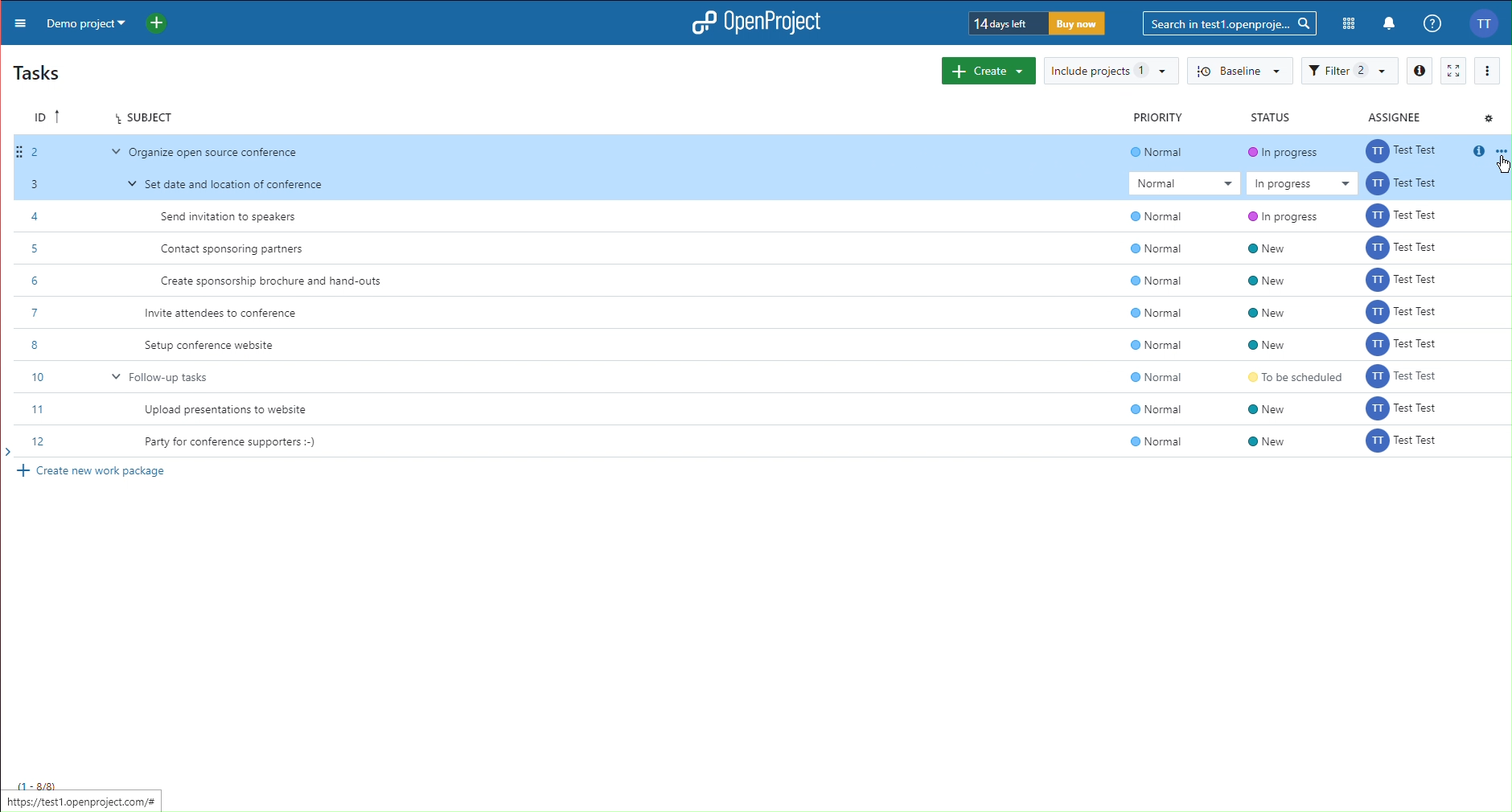 Image resolution: width=1512 pixels, height=812 pixels. I want to click on normal, so click(1161, 301).